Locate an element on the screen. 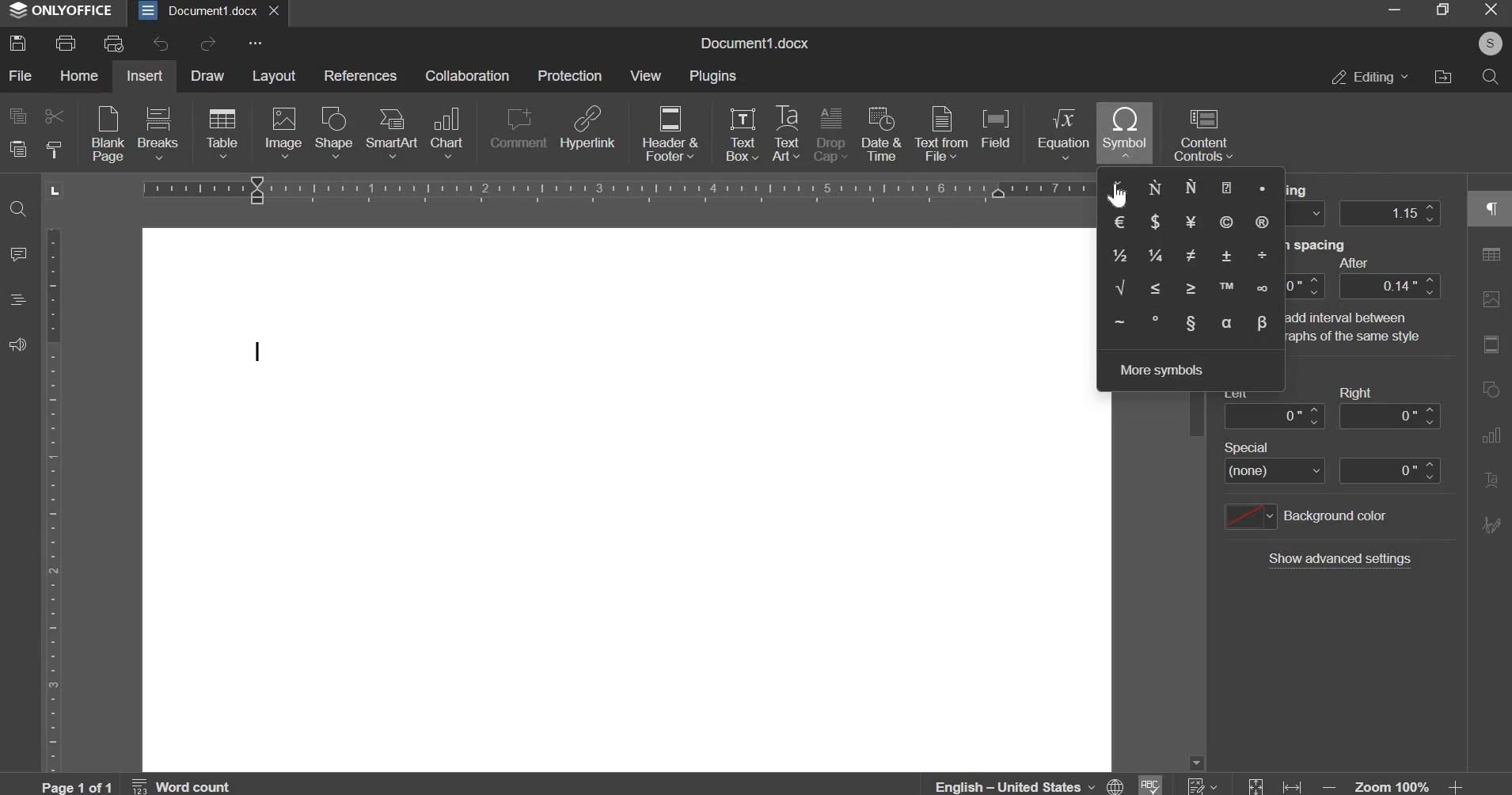  onlyoffice is located at coordinates (62, 10).